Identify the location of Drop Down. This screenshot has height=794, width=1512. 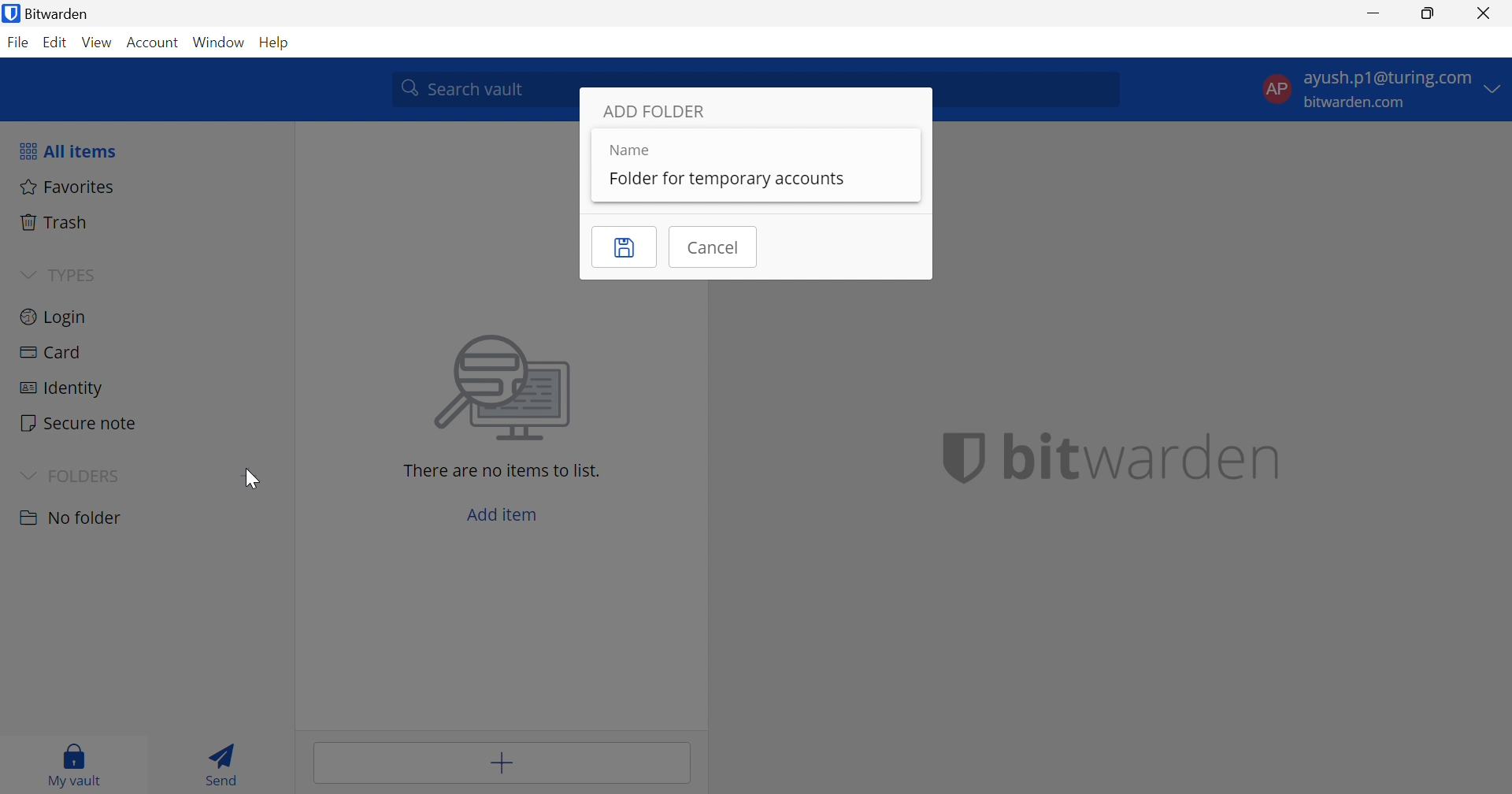
(25, 273).